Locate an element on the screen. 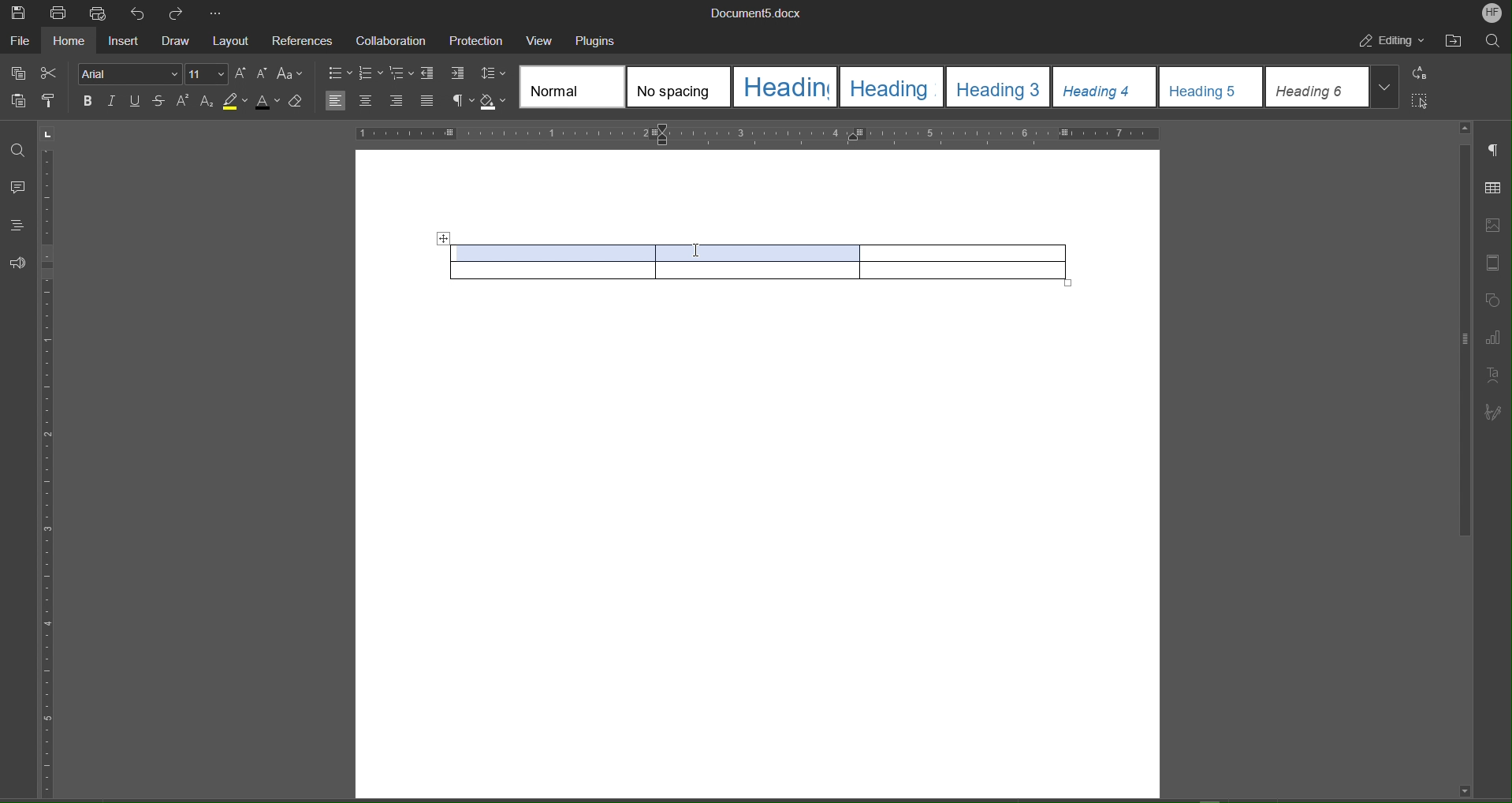  Document Name is located at coordinates (760, 13).